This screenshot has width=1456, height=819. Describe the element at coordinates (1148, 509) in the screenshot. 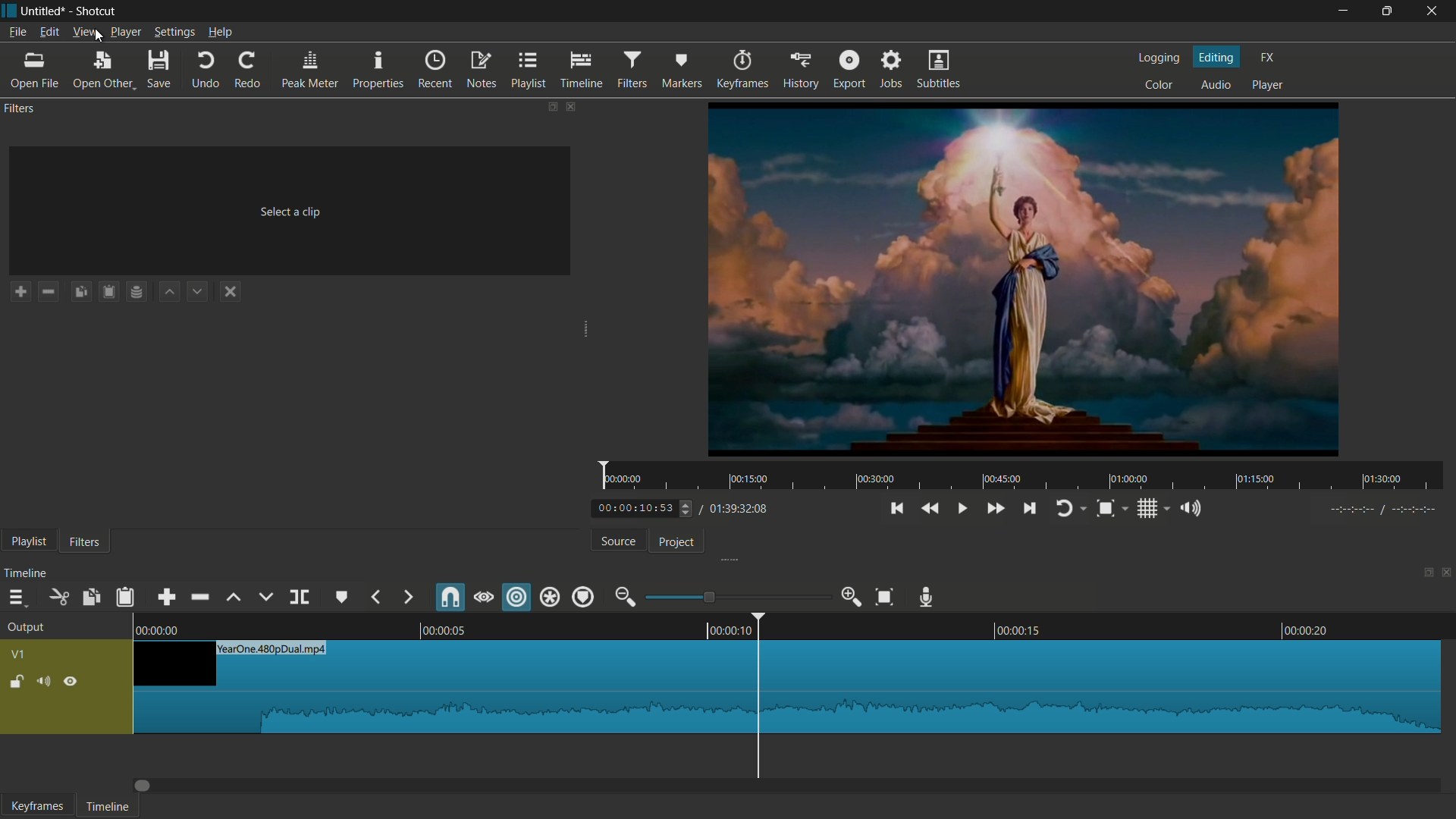

I see `toggle grid` at that location.